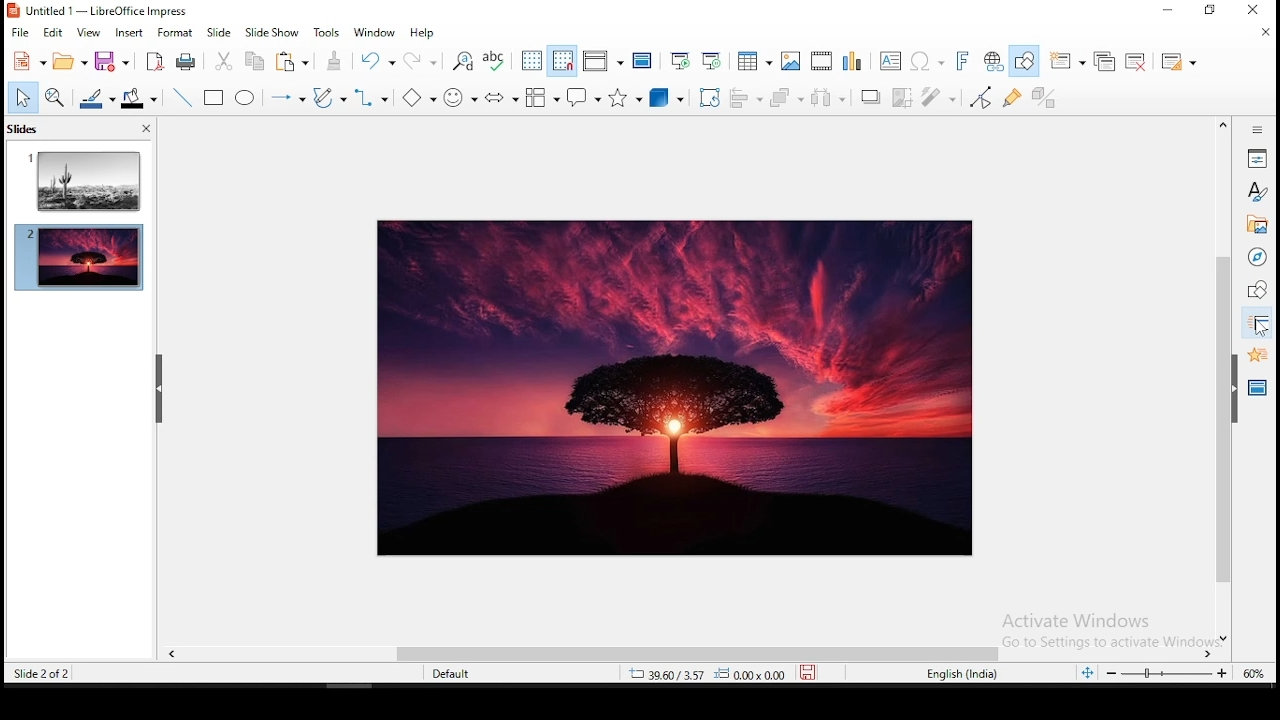 Image resolution: width=1280 pixels, height=720 pixels. Describe the element at coordinates (961, 672) in the screenshot. I see `english (india)` at that location.